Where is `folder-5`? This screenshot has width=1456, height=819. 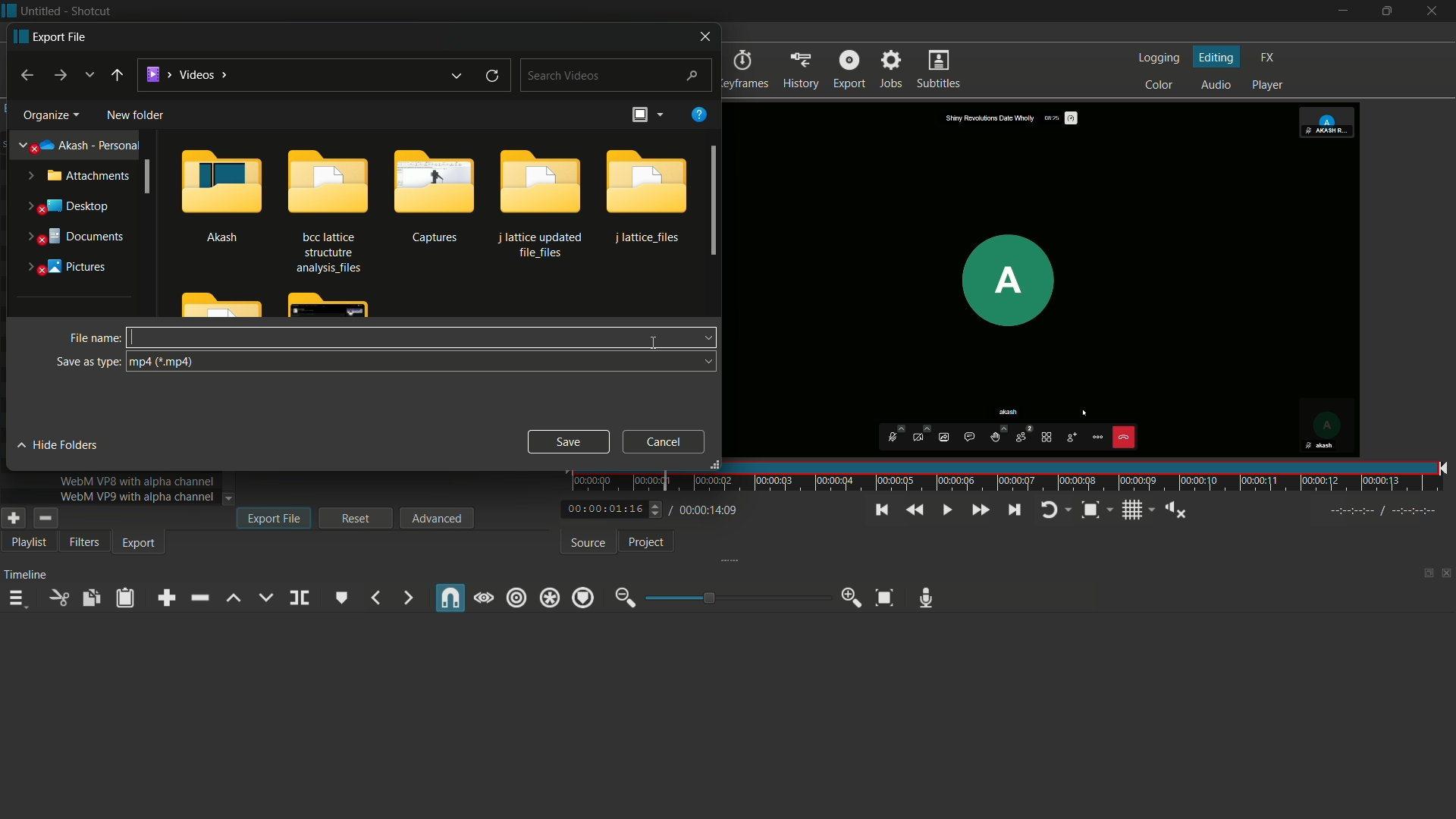
folder-5 is located at coordinates (645, 196).